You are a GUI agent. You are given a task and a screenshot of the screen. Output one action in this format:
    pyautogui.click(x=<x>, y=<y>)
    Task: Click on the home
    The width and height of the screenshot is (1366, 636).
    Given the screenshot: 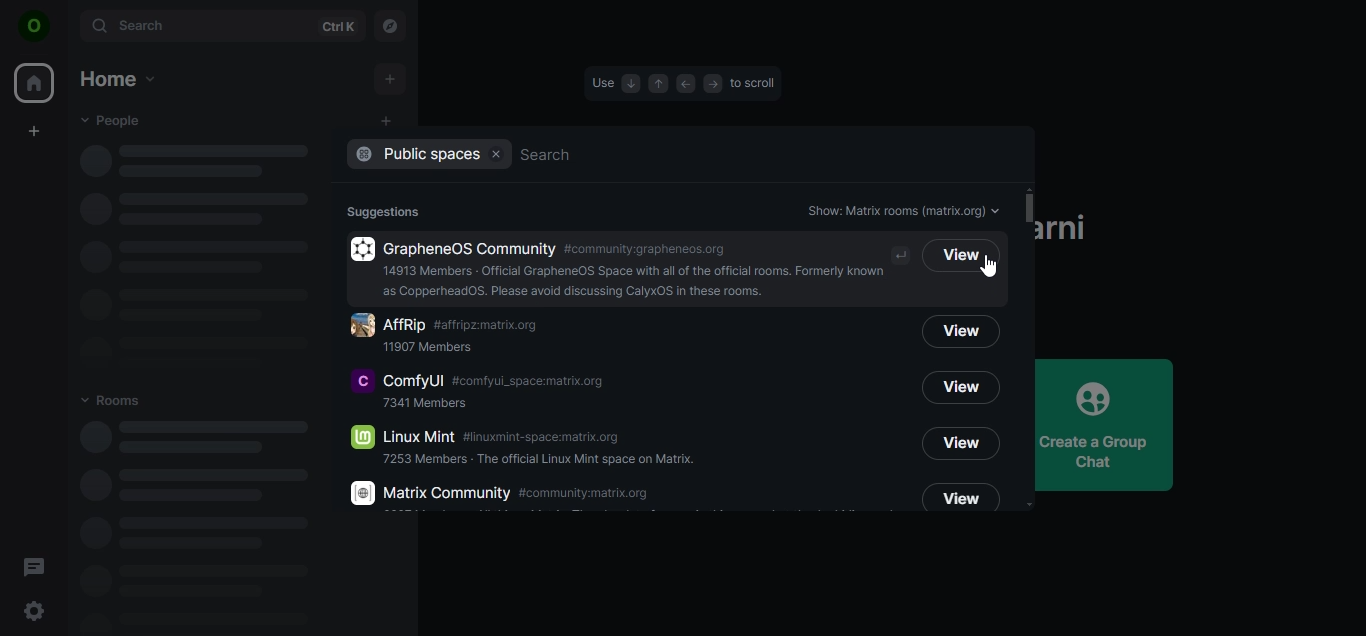 What is the action you would take?
    pyautogui.click(x=35, y=83)
    